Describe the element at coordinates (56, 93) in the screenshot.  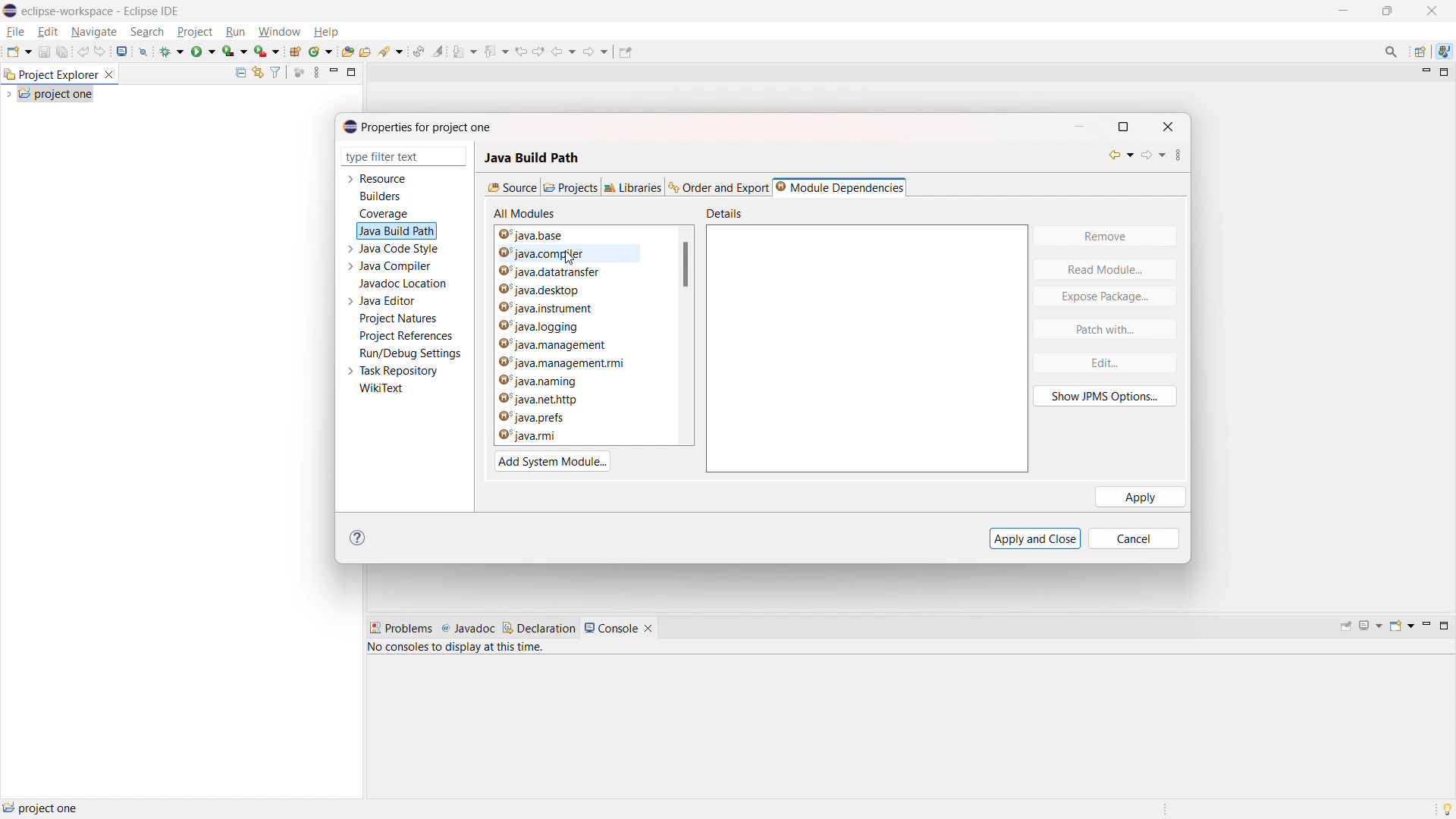
I see `project one` at that location.